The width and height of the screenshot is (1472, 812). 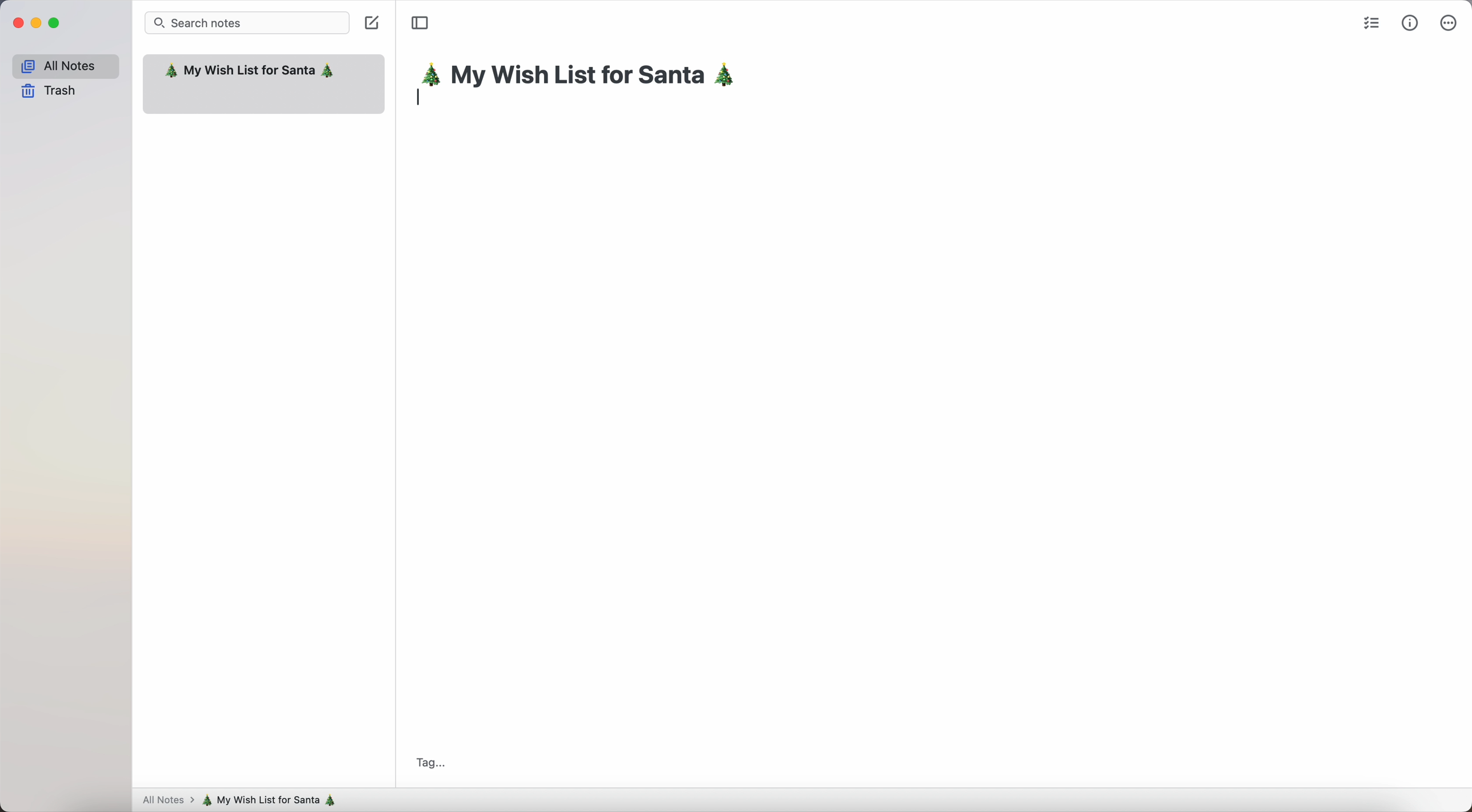 What do you see at coordinates (274, 800) in the screenshot?
I see `my wish list for Santa` at bounding box center [274, 800].